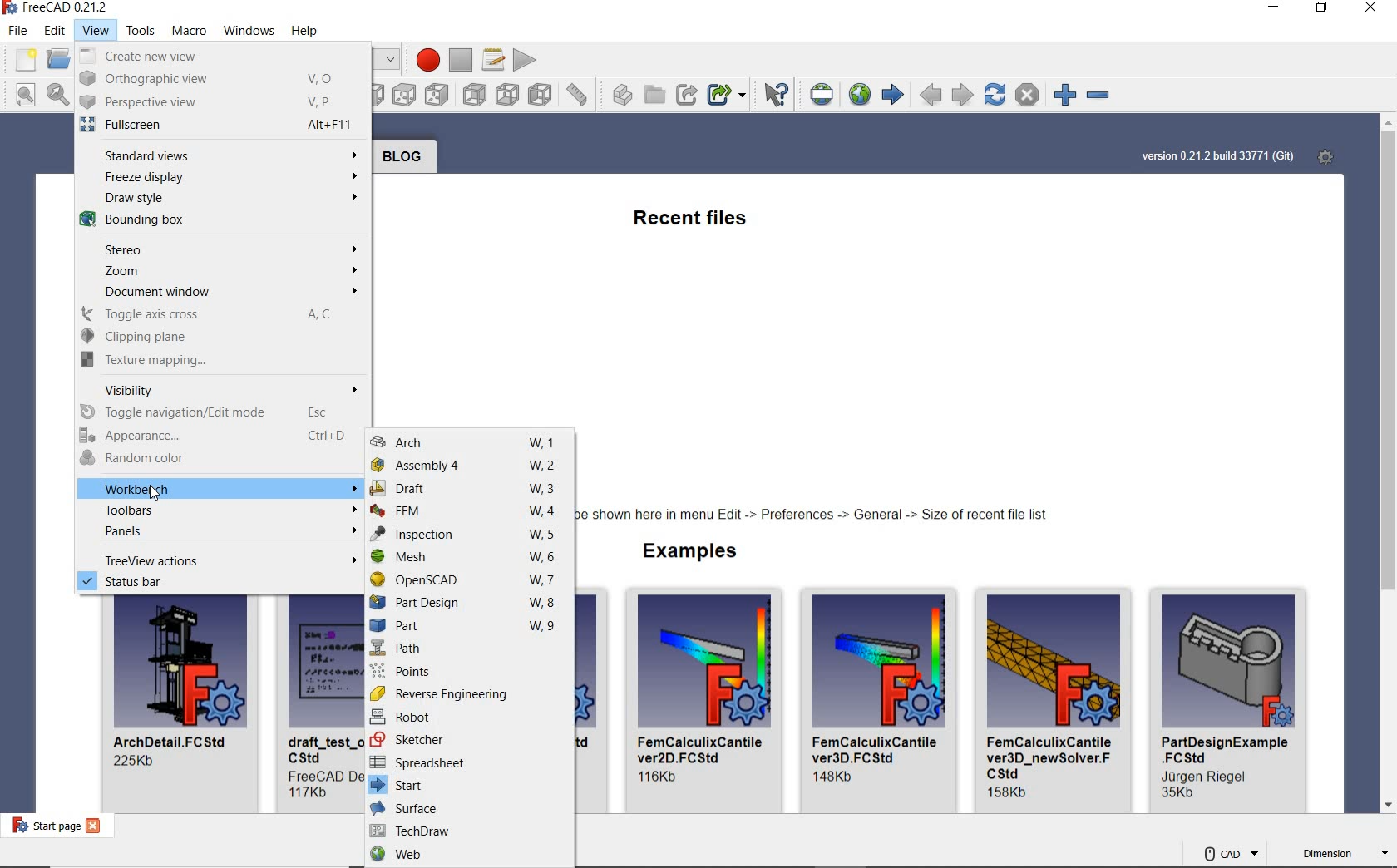 The width and height of the screenshot is (1397, 868). What do you see at coordinates (466, 466) in the screenshot?
I see `assembly` at bounding box center [466, 466].